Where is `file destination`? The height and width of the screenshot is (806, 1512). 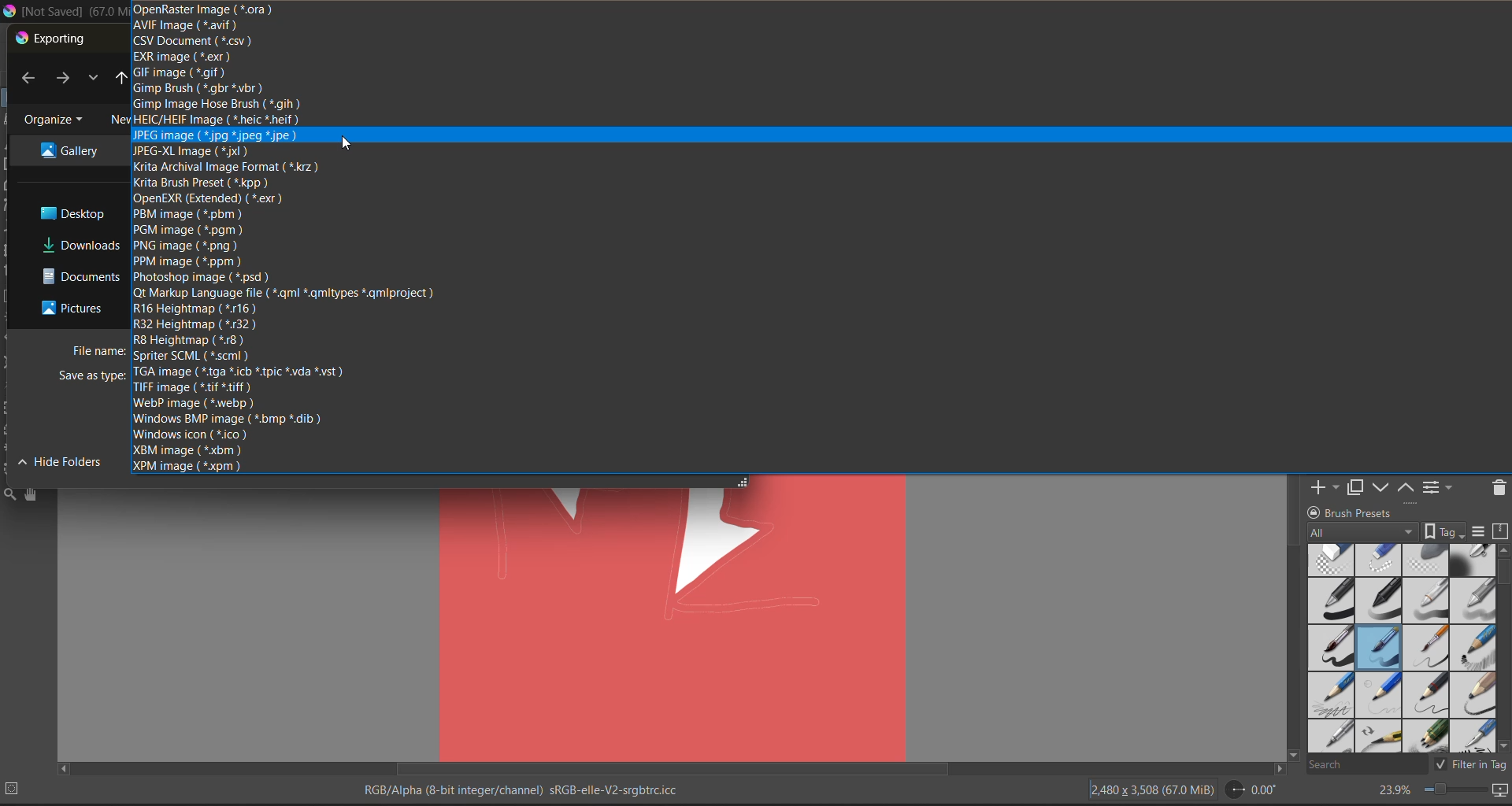
file destination is located at coordinates (82, 275).